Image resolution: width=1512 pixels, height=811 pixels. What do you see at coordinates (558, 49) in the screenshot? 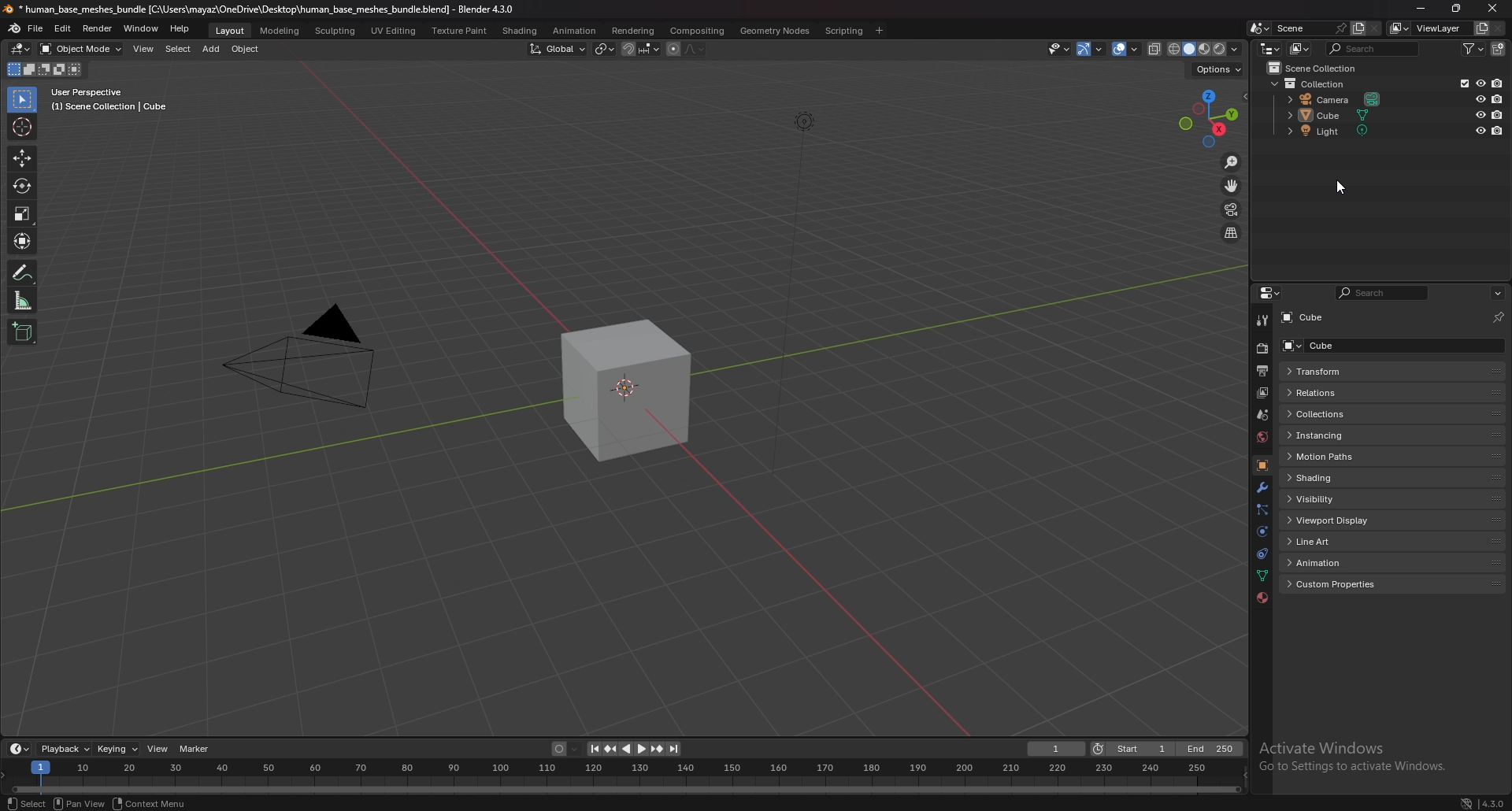
I see `transform orientation` at bounding box center [558, 49].